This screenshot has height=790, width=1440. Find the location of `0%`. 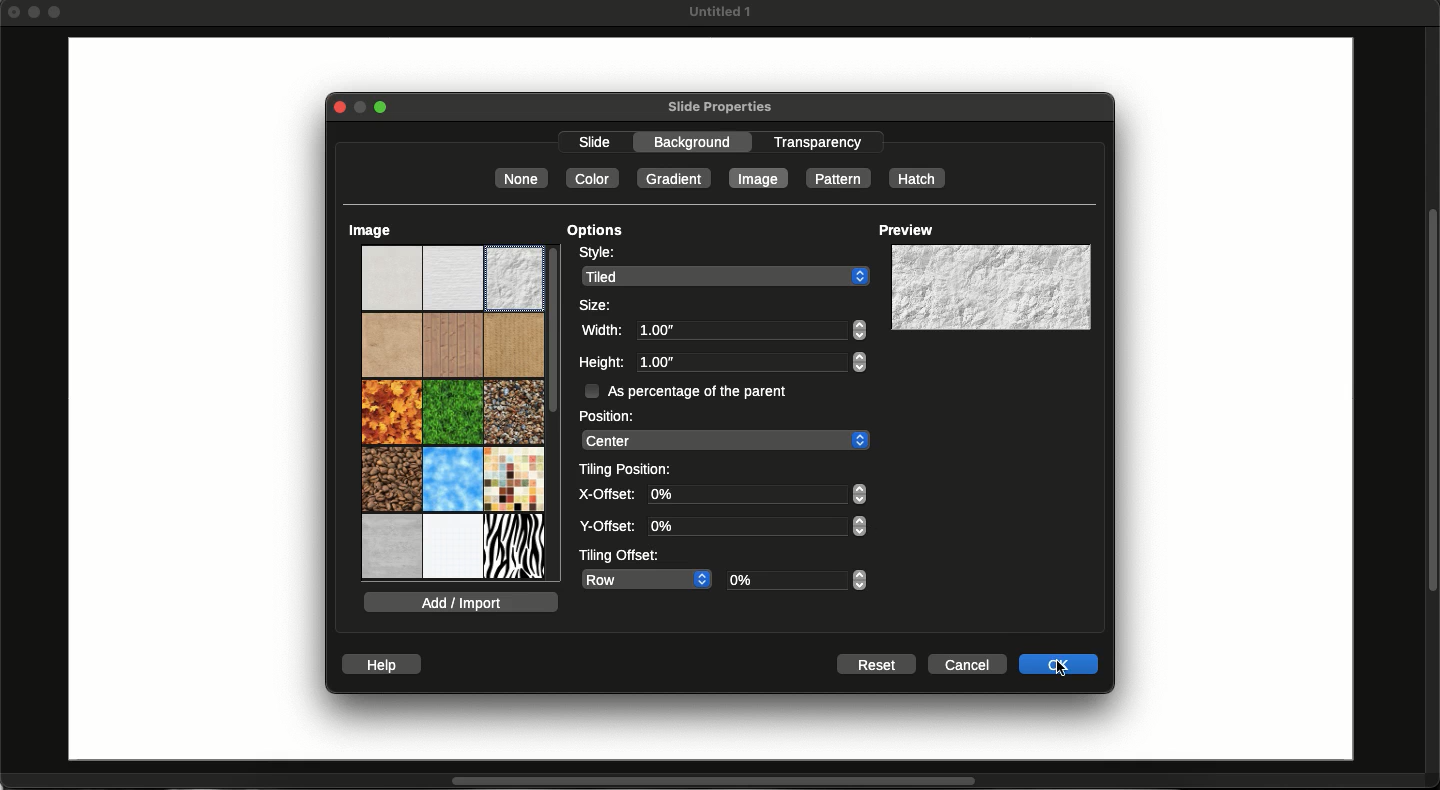

0% is located at coordinates (757, 494).